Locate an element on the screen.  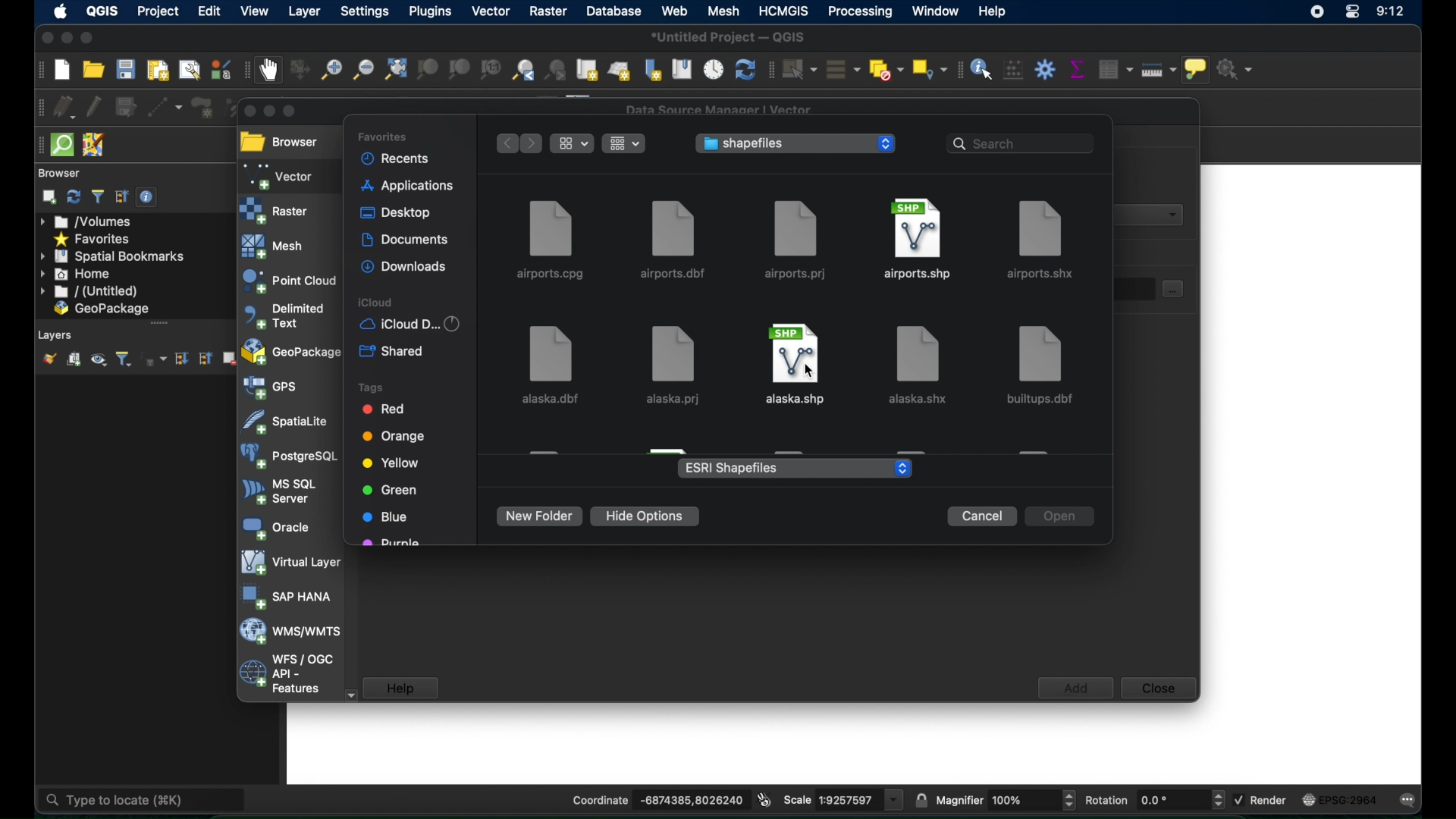
orange is located at coordinates (395, 437).